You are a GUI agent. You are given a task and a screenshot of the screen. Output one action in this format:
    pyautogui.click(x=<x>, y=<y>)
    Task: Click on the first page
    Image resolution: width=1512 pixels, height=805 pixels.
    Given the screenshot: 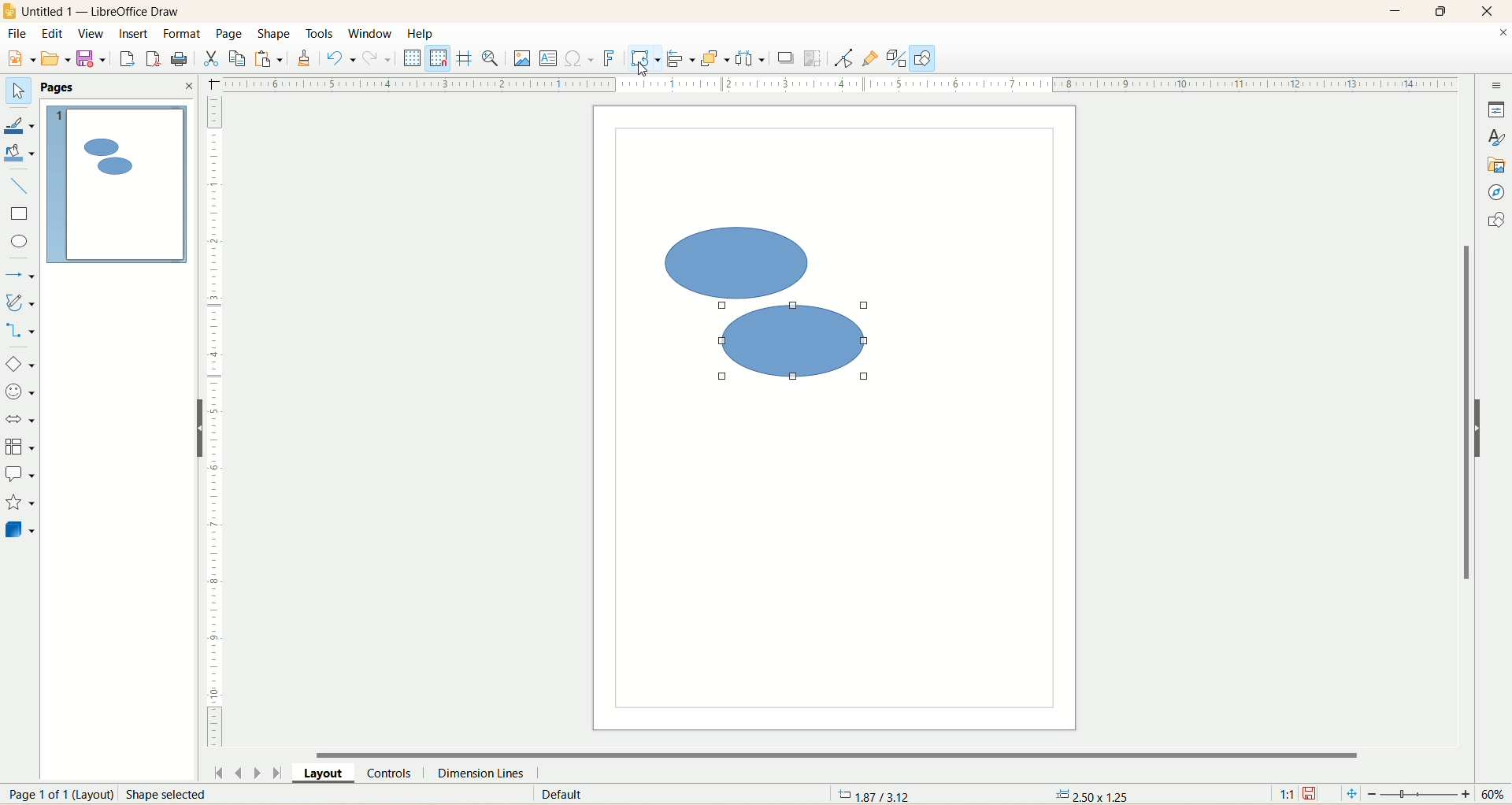 What is the action you would take?
    pyautogui.click(x=218, y=770)
    